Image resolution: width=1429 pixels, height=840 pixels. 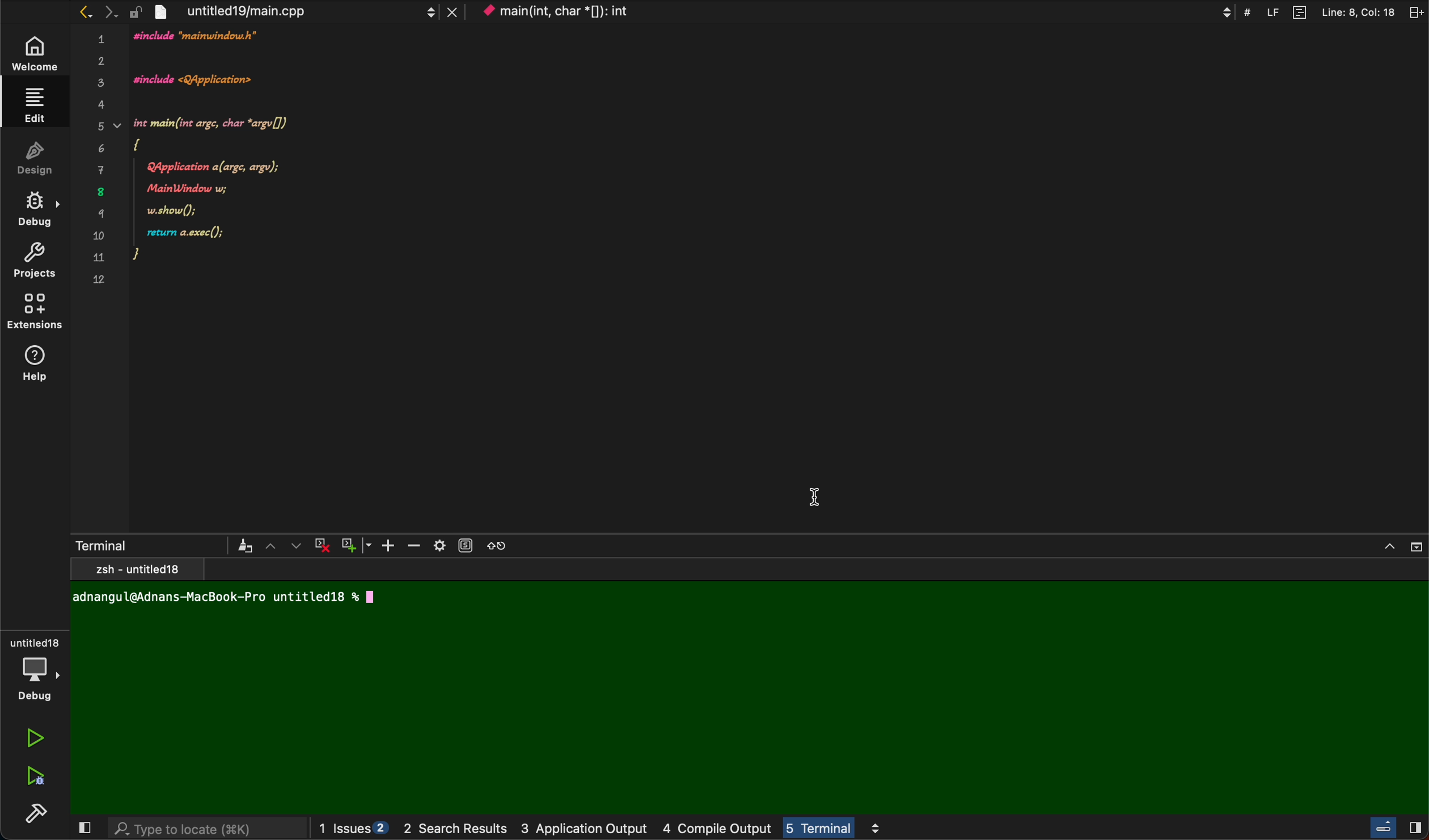 I want to click on cross, so click(x=319, y=543).